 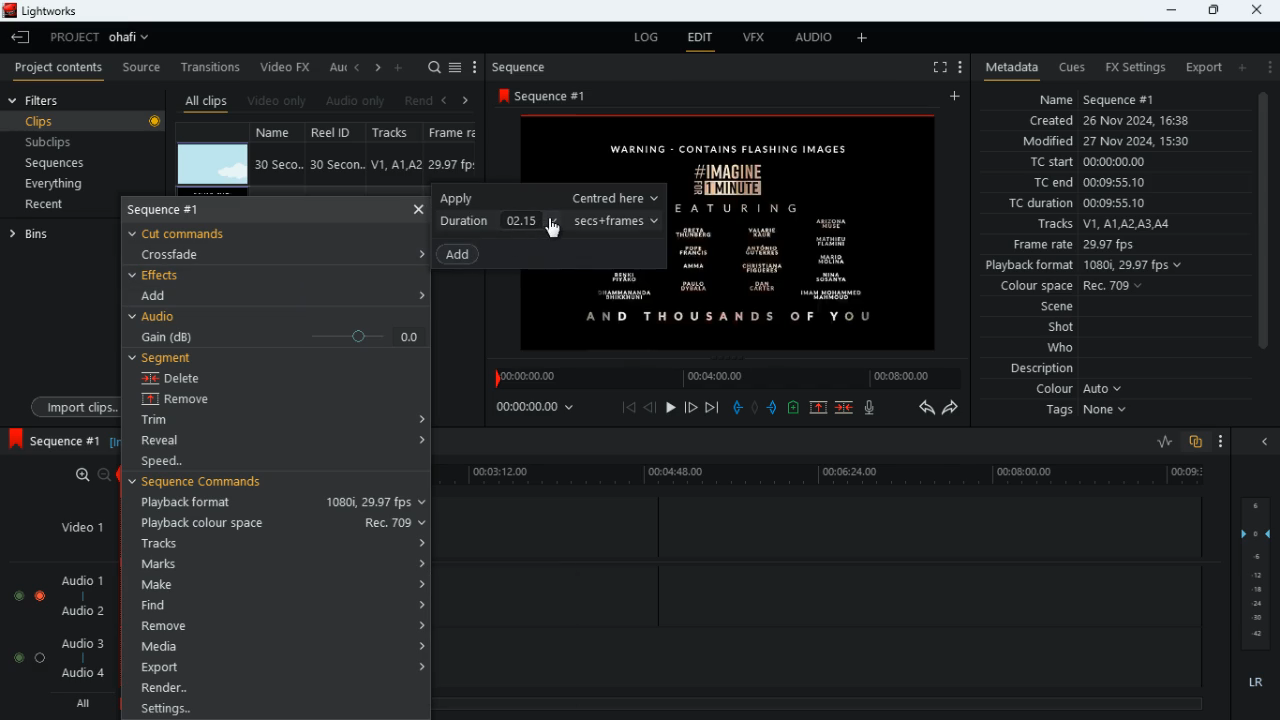 What do you see at coordinates (53, 440) in the screenshot?
I see `sequence` at bounding box center [53, 440].